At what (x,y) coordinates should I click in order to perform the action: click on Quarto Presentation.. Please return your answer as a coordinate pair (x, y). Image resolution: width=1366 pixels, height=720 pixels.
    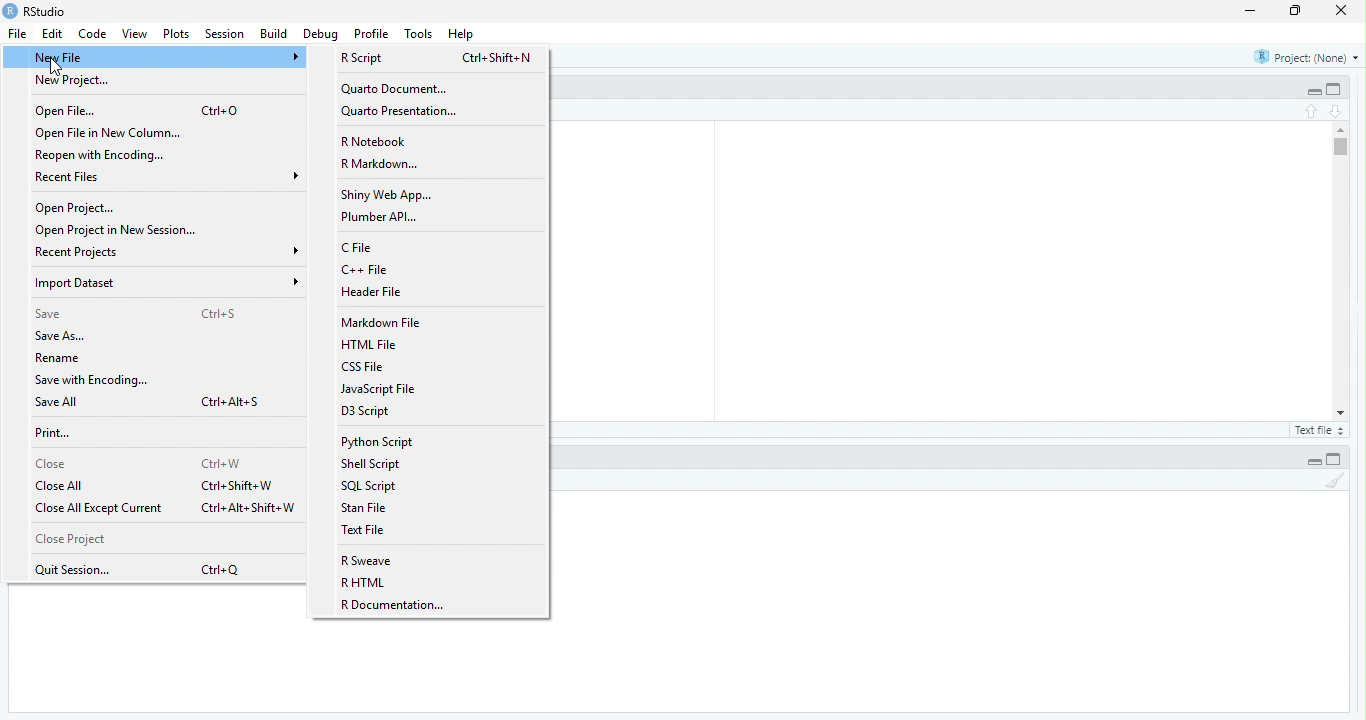
    Looking at the image, I should click on (401, 112).